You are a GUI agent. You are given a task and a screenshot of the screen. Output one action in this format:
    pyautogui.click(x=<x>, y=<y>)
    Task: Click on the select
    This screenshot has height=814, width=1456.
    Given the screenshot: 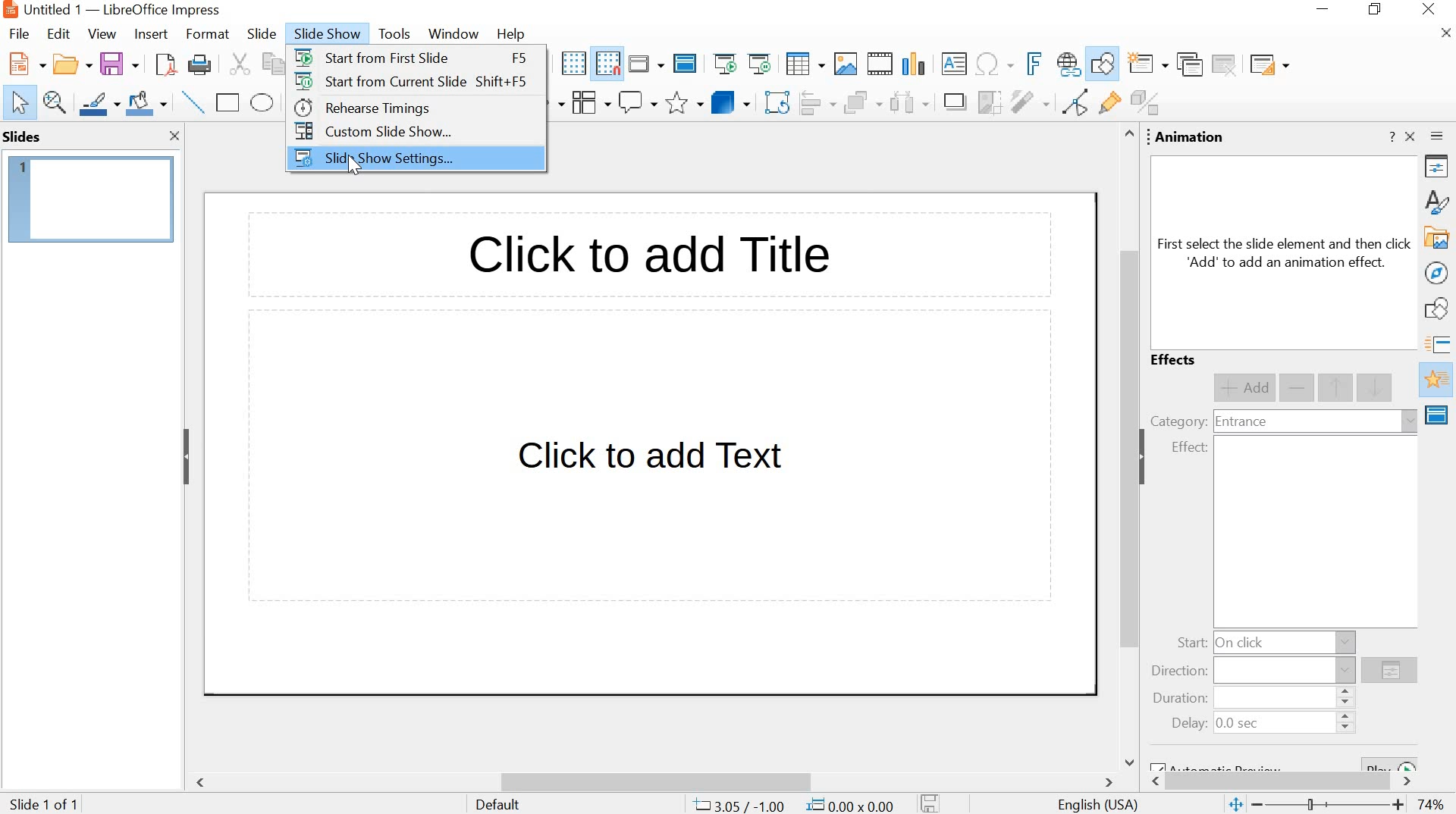 What is the action you would take?
    pyautogui.click(x=20, y=104)
    